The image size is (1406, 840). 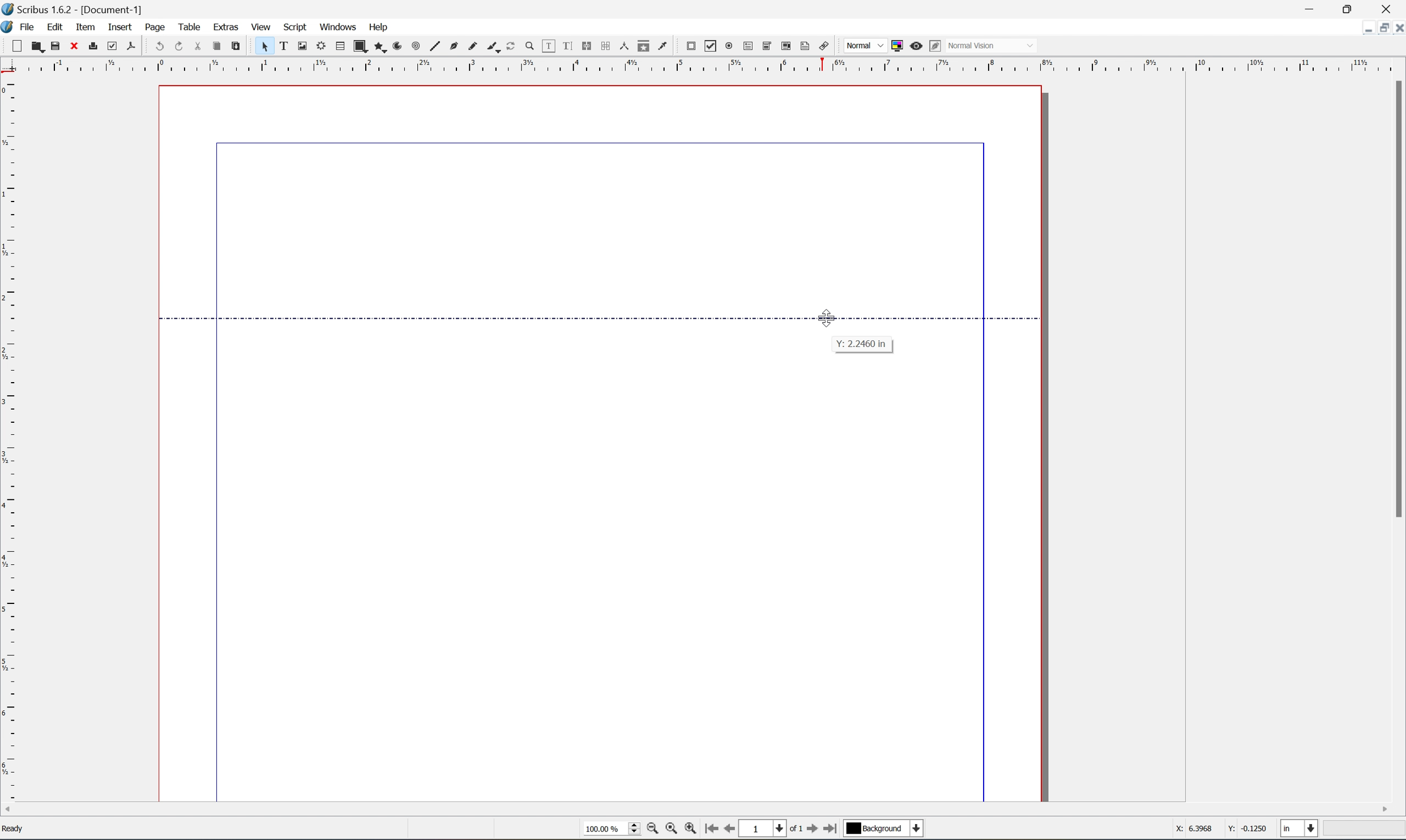 I want to click on rotate item, so click(x=512, y=46).